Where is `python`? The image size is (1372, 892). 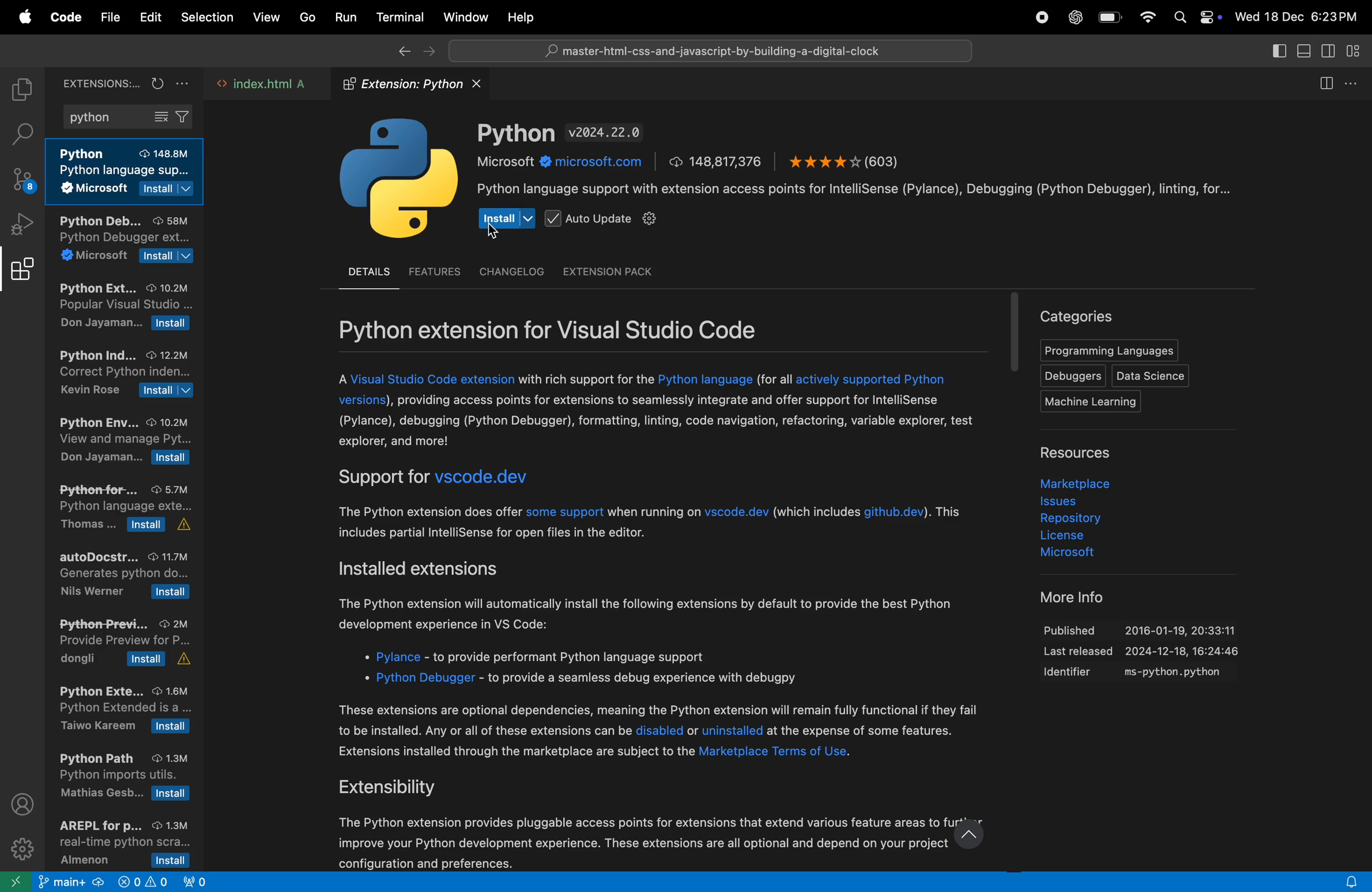 python is located at coordinates (399, 181).